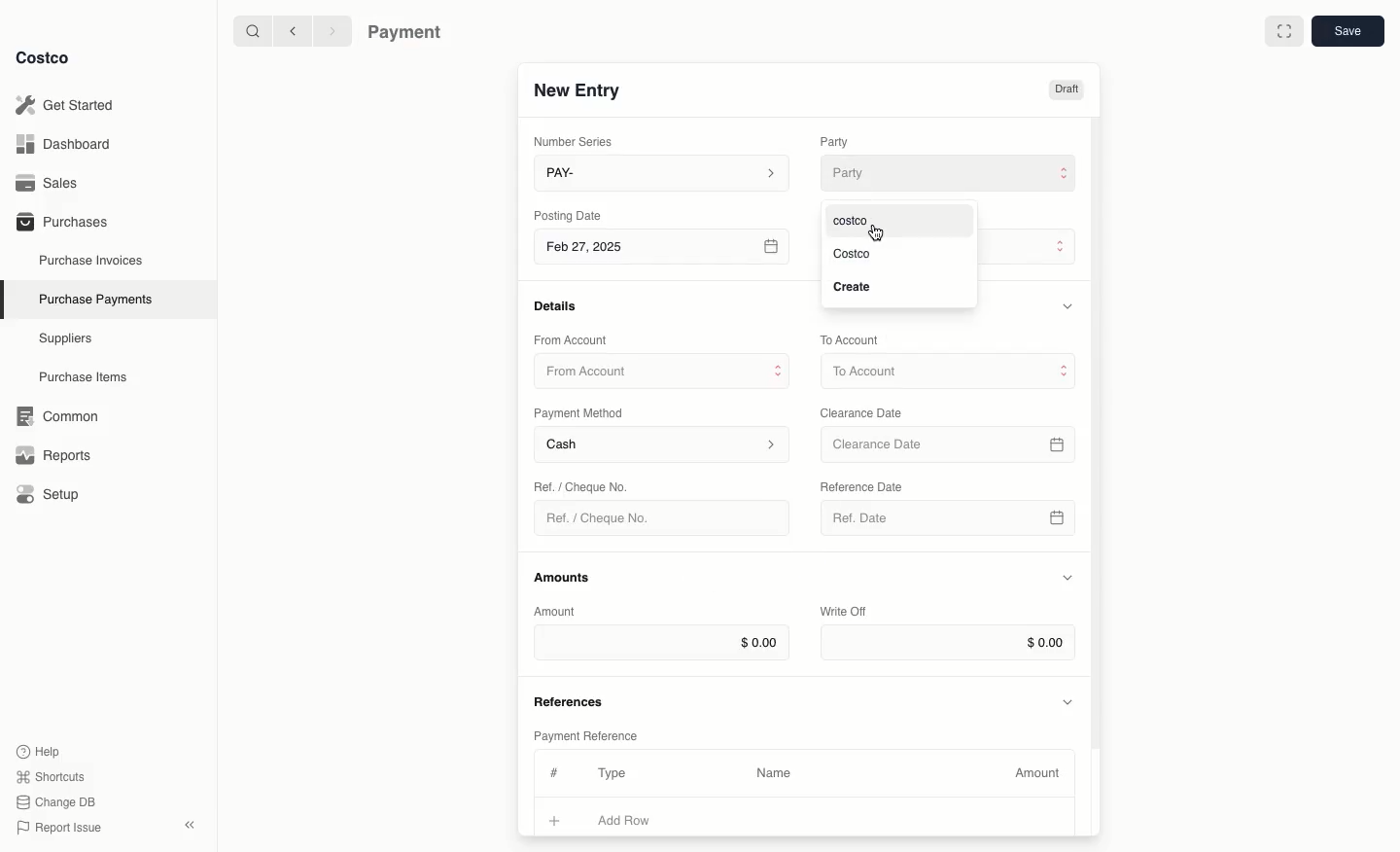  I want to click on Save, so click(1347, 30).